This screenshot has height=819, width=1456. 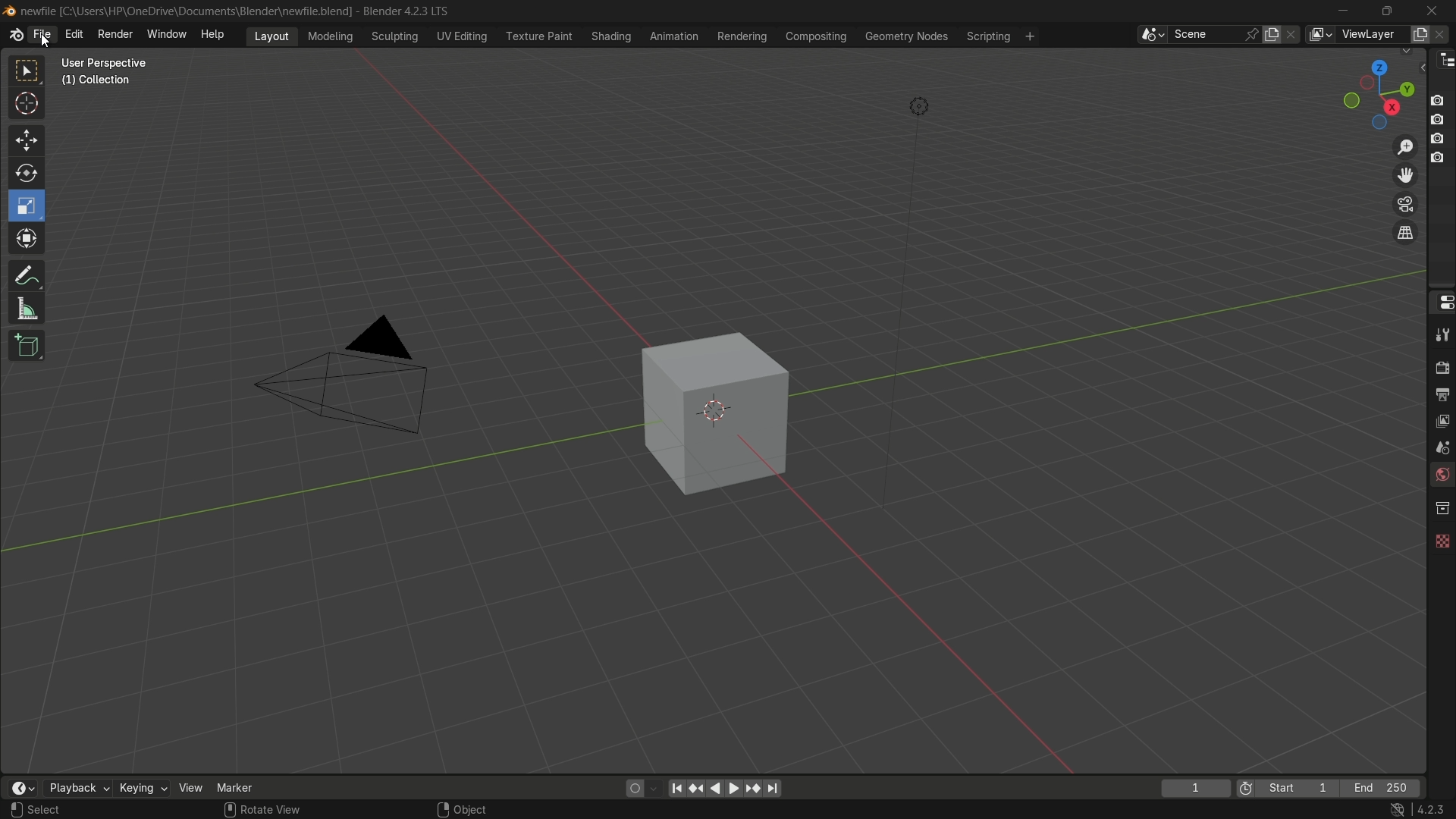 I want to click on current frame, so click(x=1194, y=788).